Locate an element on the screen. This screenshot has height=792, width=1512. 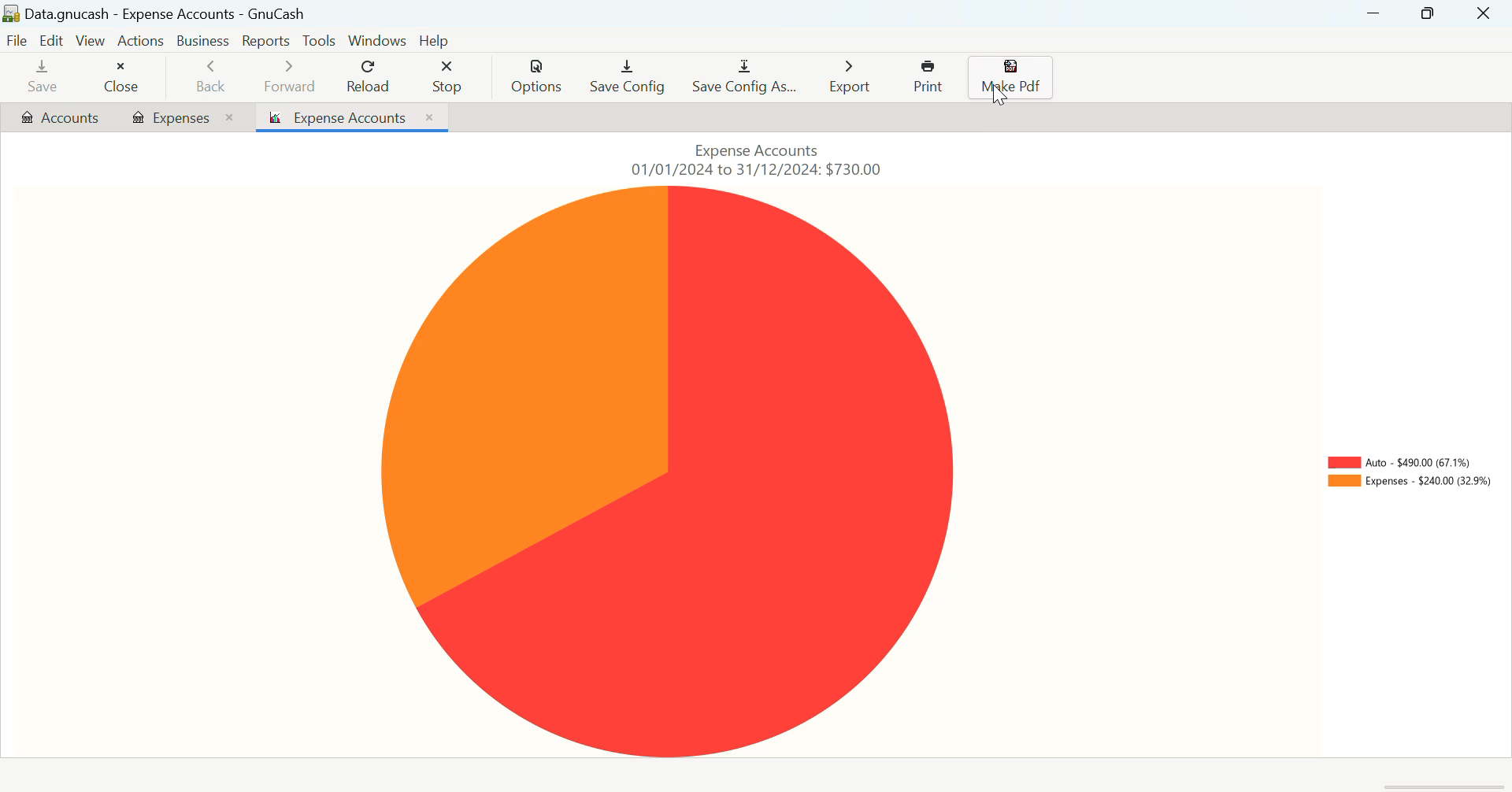
Restore Down is located at coordinates (1375, 13).